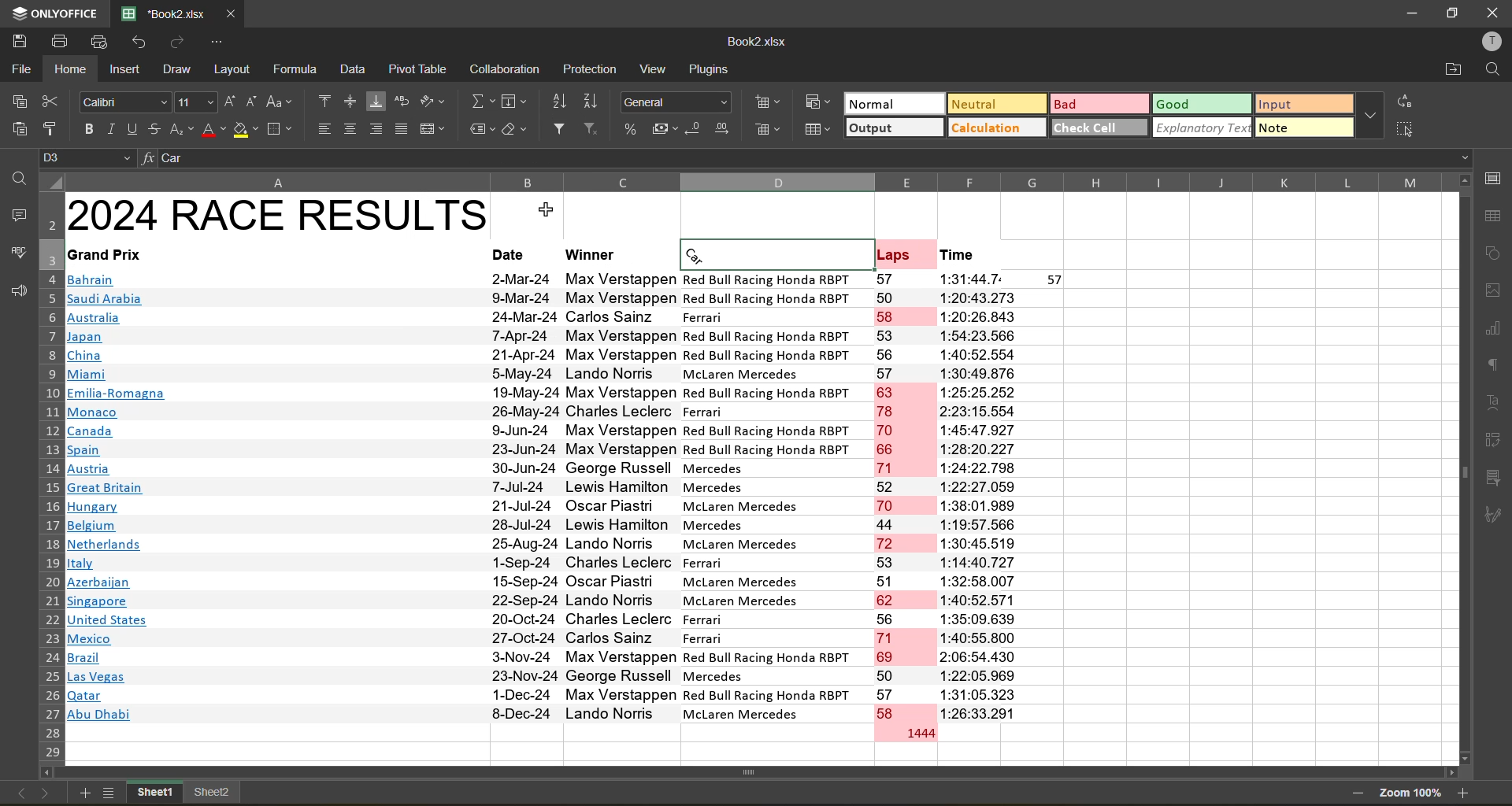 This screenshot has width=1512, height=806. Describe the element at coordinates (1494, 290) in the screenshot. I see `images` at that location.